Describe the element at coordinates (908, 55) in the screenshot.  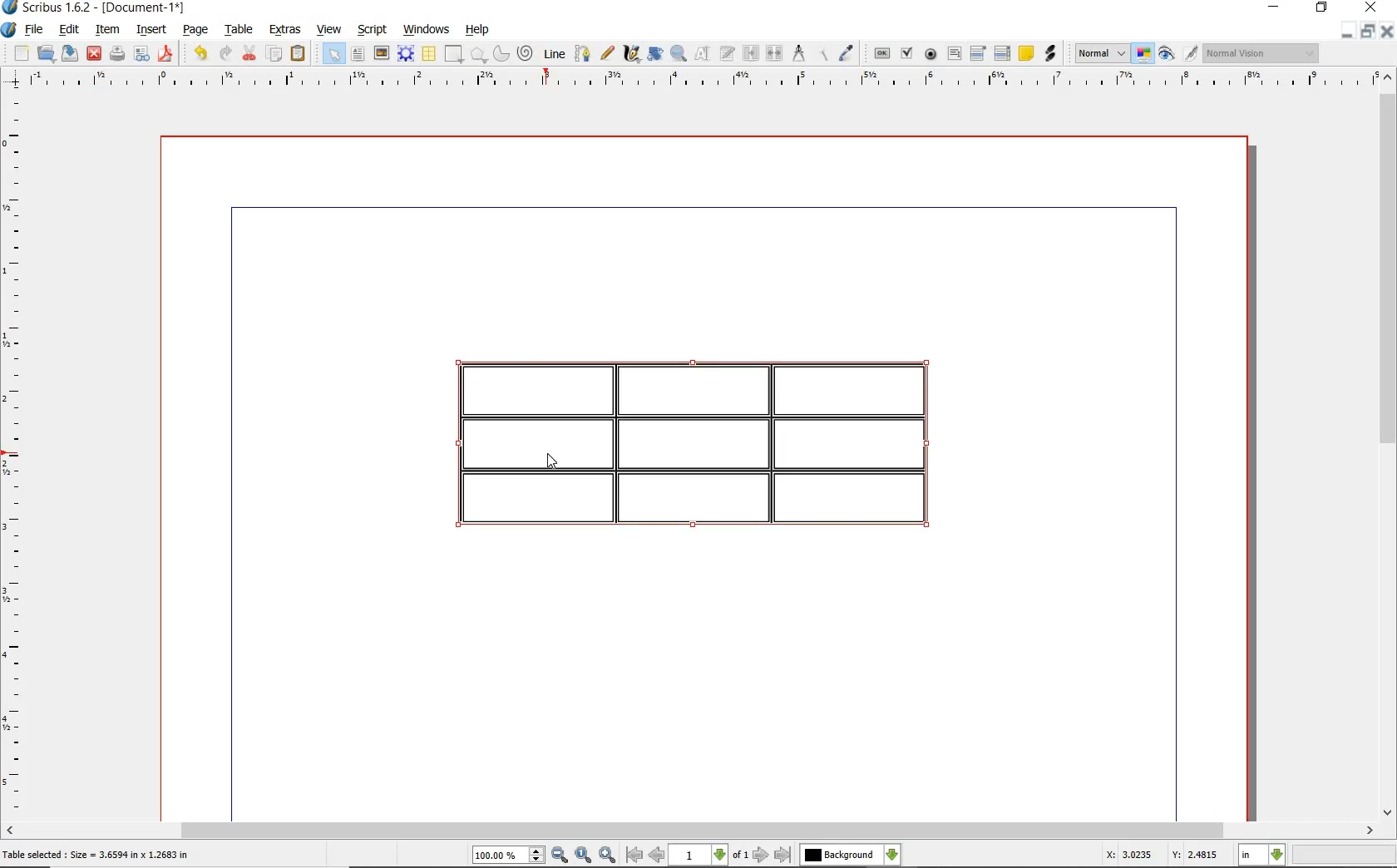
I see `pdf check box` at that location.